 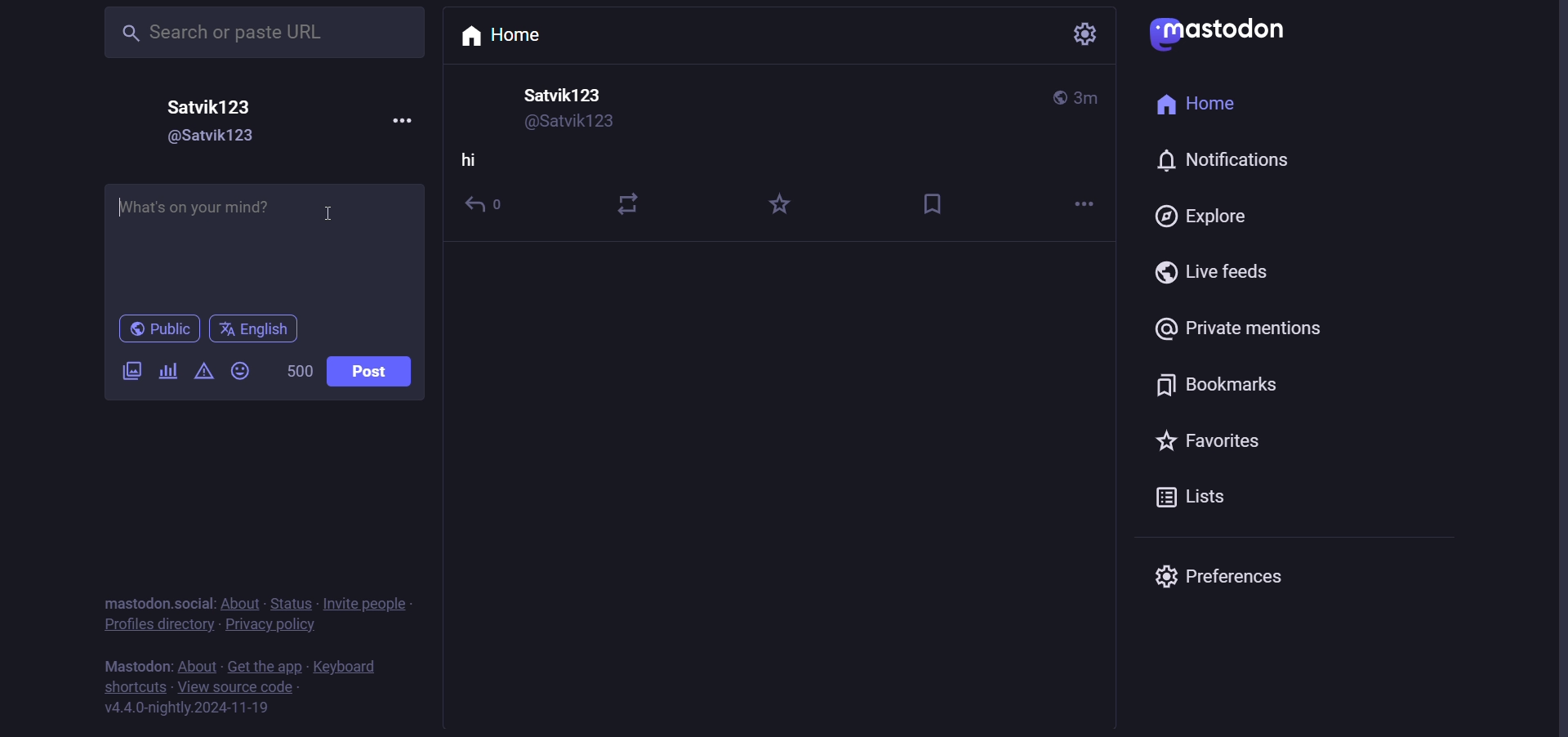 I want to click on keyboard, so click(x=347, y=668).